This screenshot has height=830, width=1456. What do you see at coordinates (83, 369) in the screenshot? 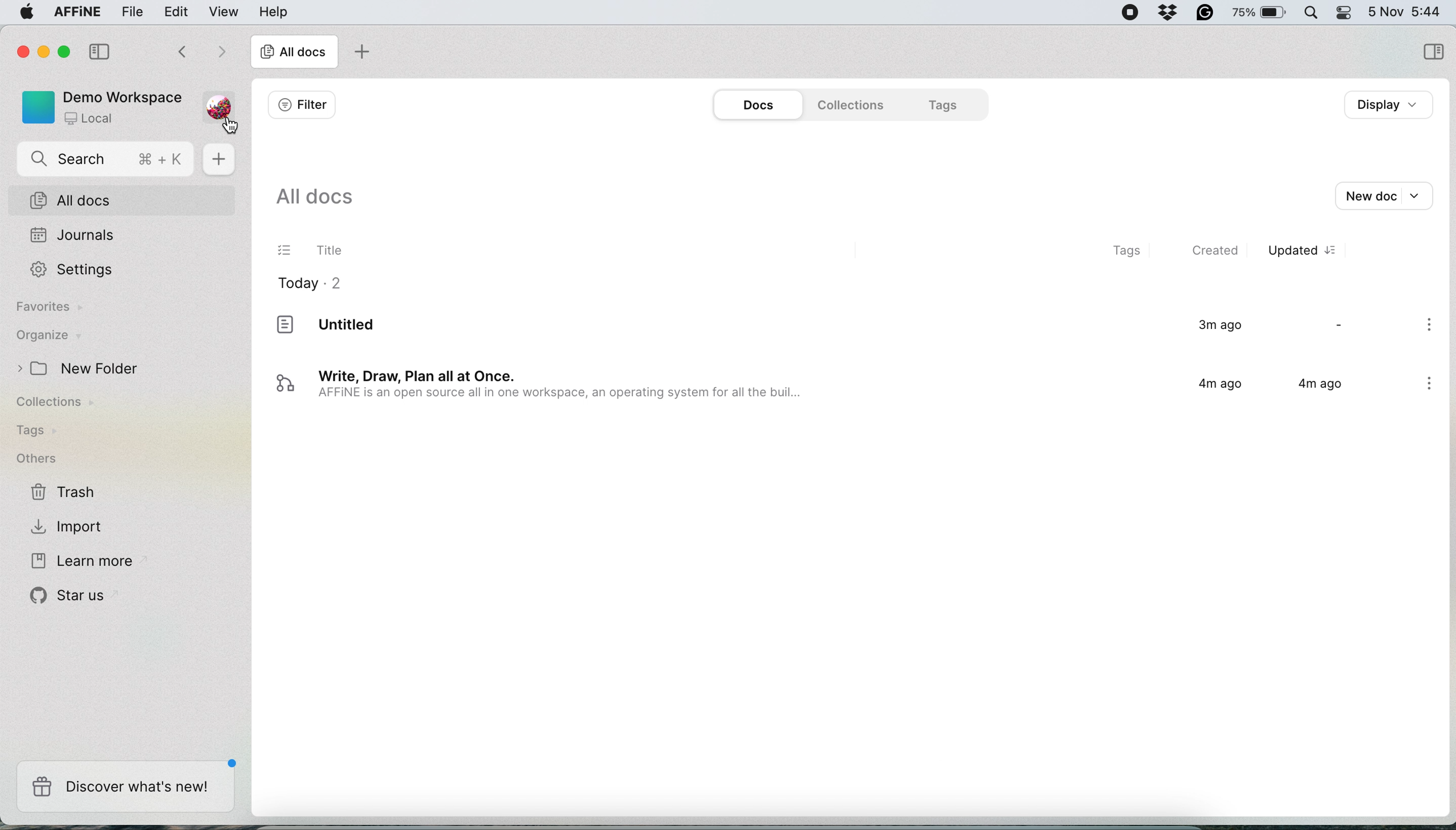
I see `new folder` at bounding box center [83, 369].